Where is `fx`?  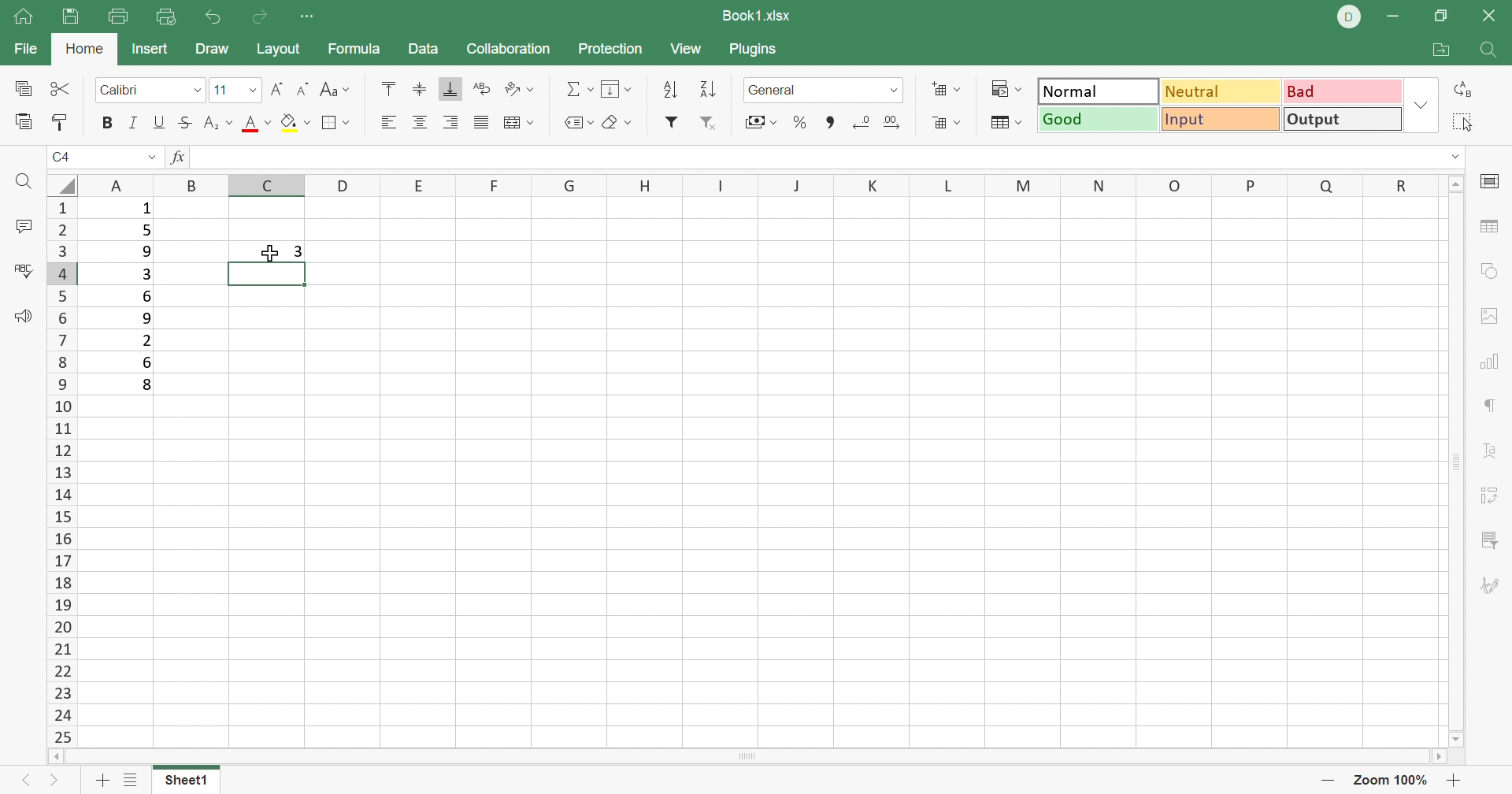 fx is located at coordinates (179, 156).